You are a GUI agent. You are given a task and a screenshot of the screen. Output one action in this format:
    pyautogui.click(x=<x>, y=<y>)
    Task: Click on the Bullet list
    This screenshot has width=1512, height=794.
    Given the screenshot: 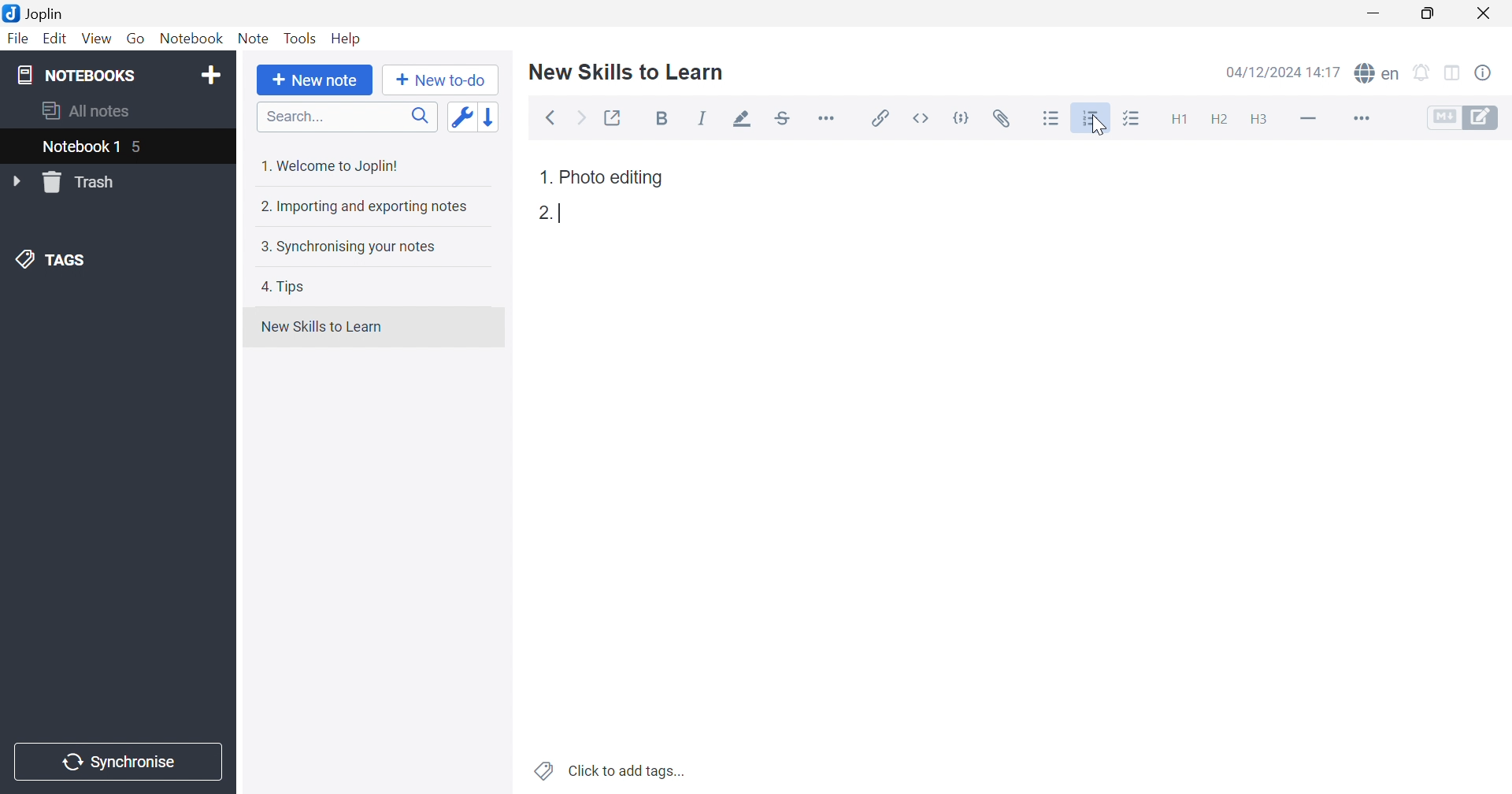 What is the action you would take?
    pyautogui.click(x=1051, y=119)
    